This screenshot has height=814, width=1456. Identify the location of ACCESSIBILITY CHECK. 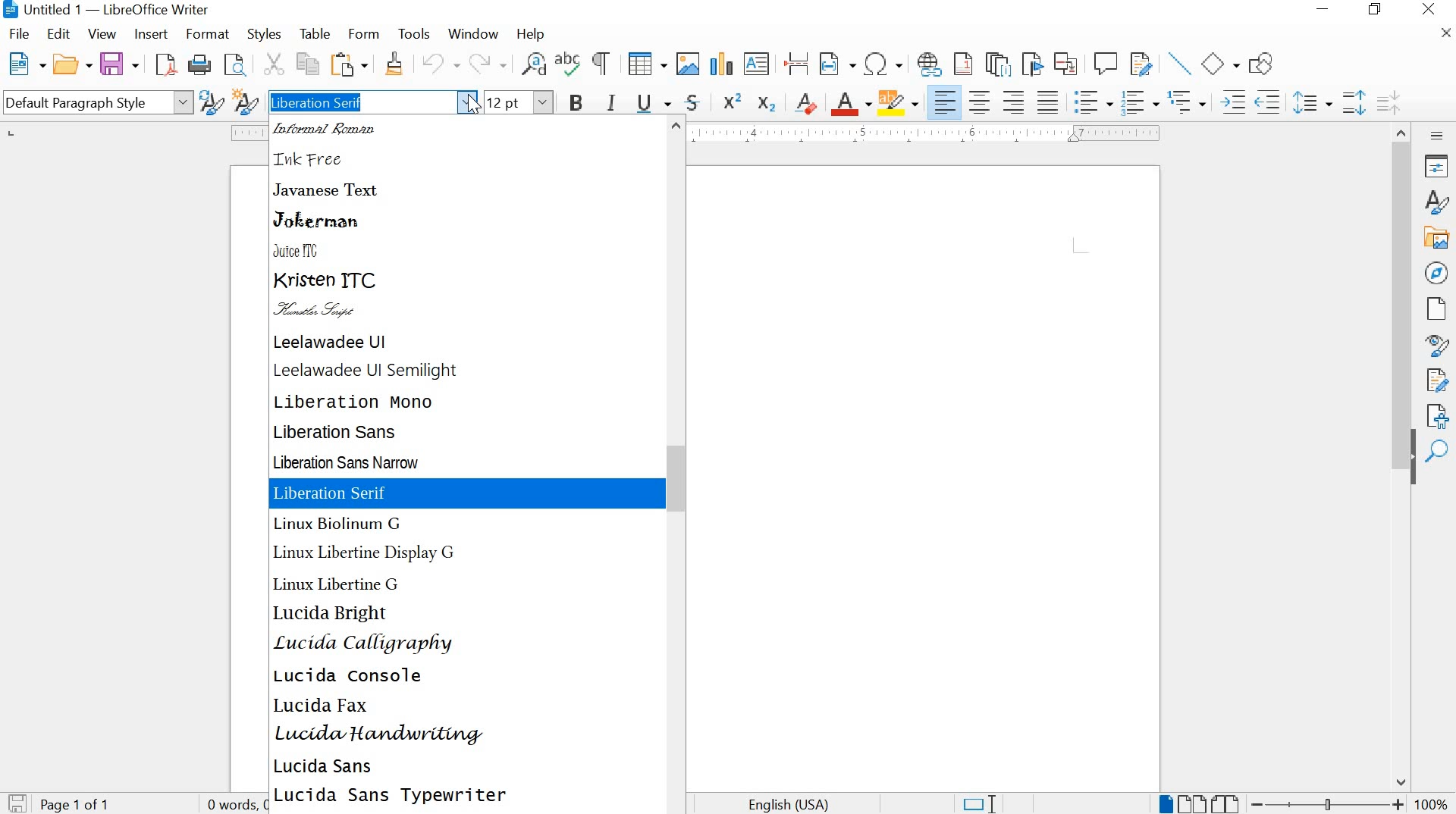
(1439, 414).